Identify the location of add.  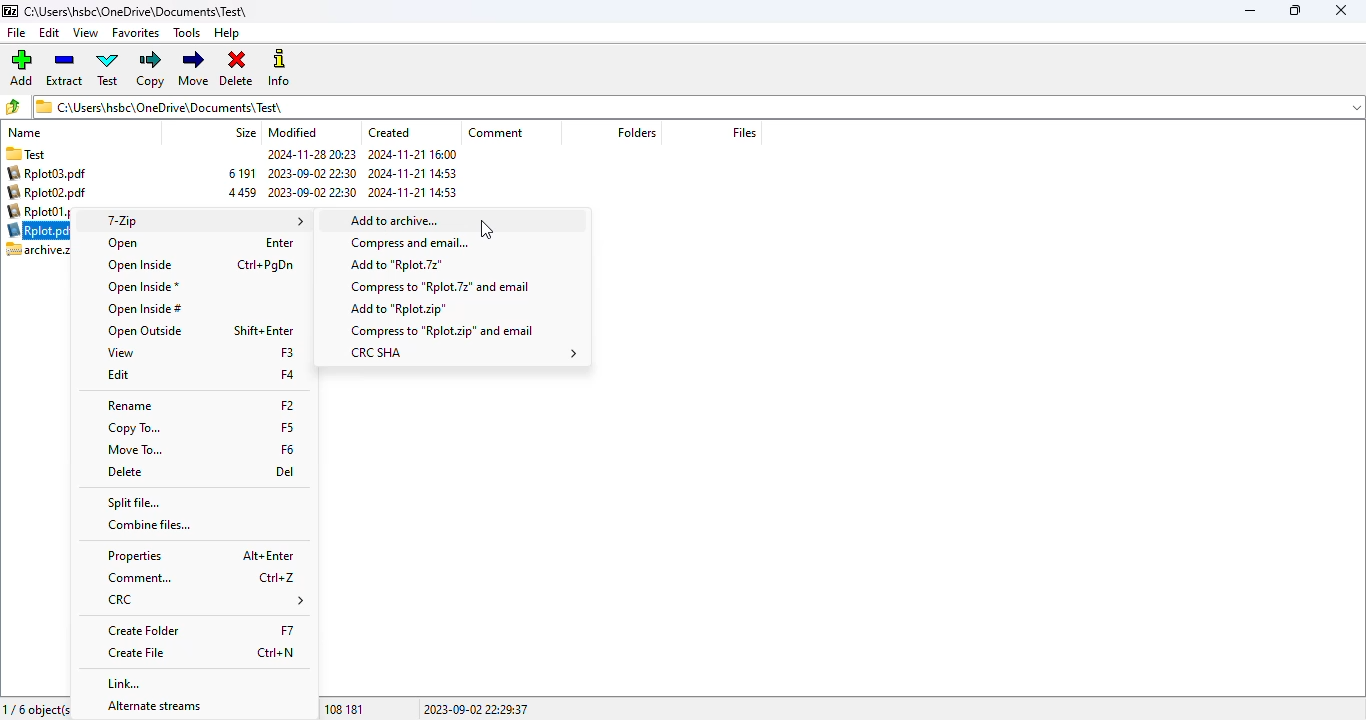
(21, 67).